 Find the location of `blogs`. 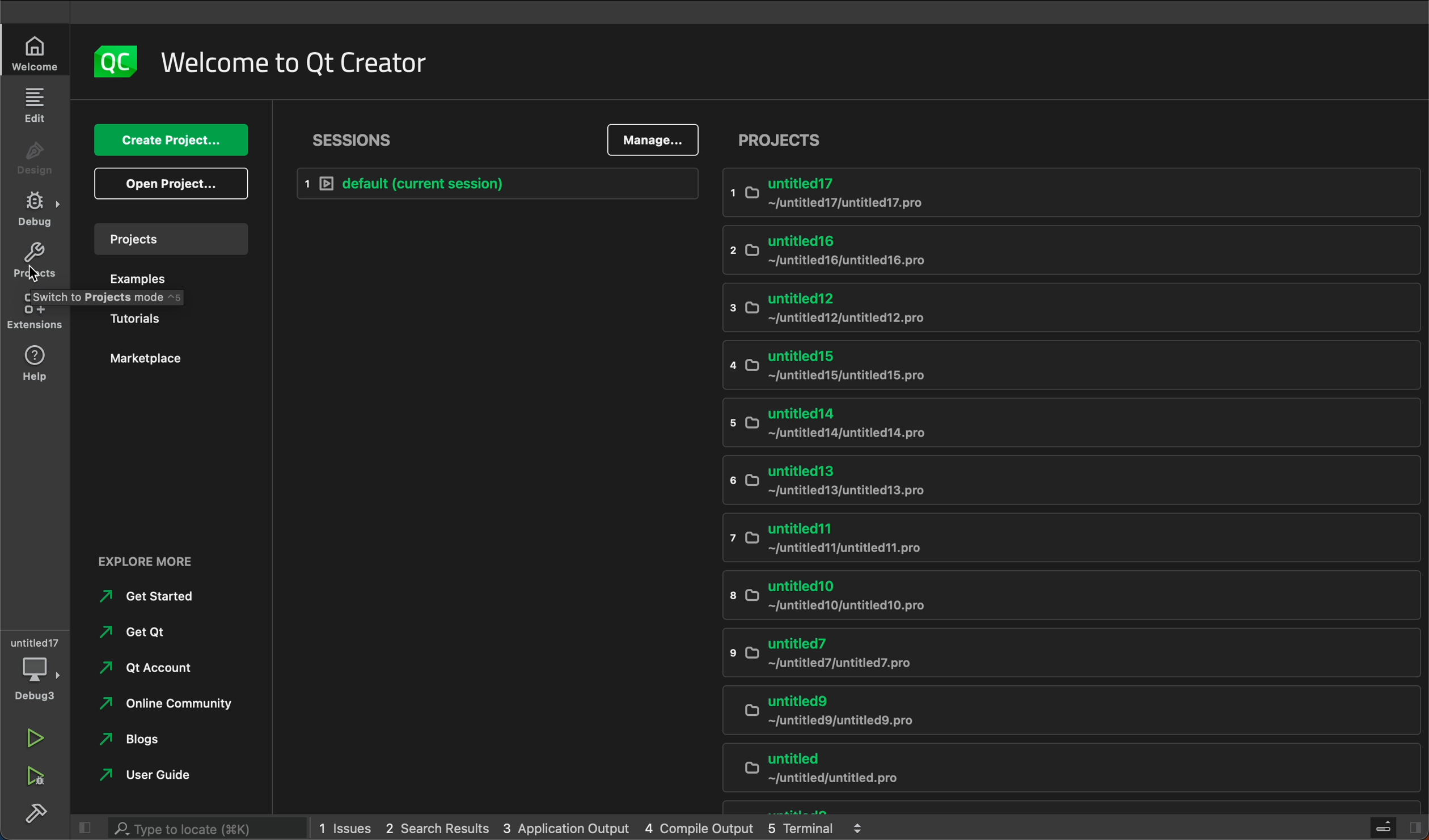

blogs is located at coordinates (143, 738).